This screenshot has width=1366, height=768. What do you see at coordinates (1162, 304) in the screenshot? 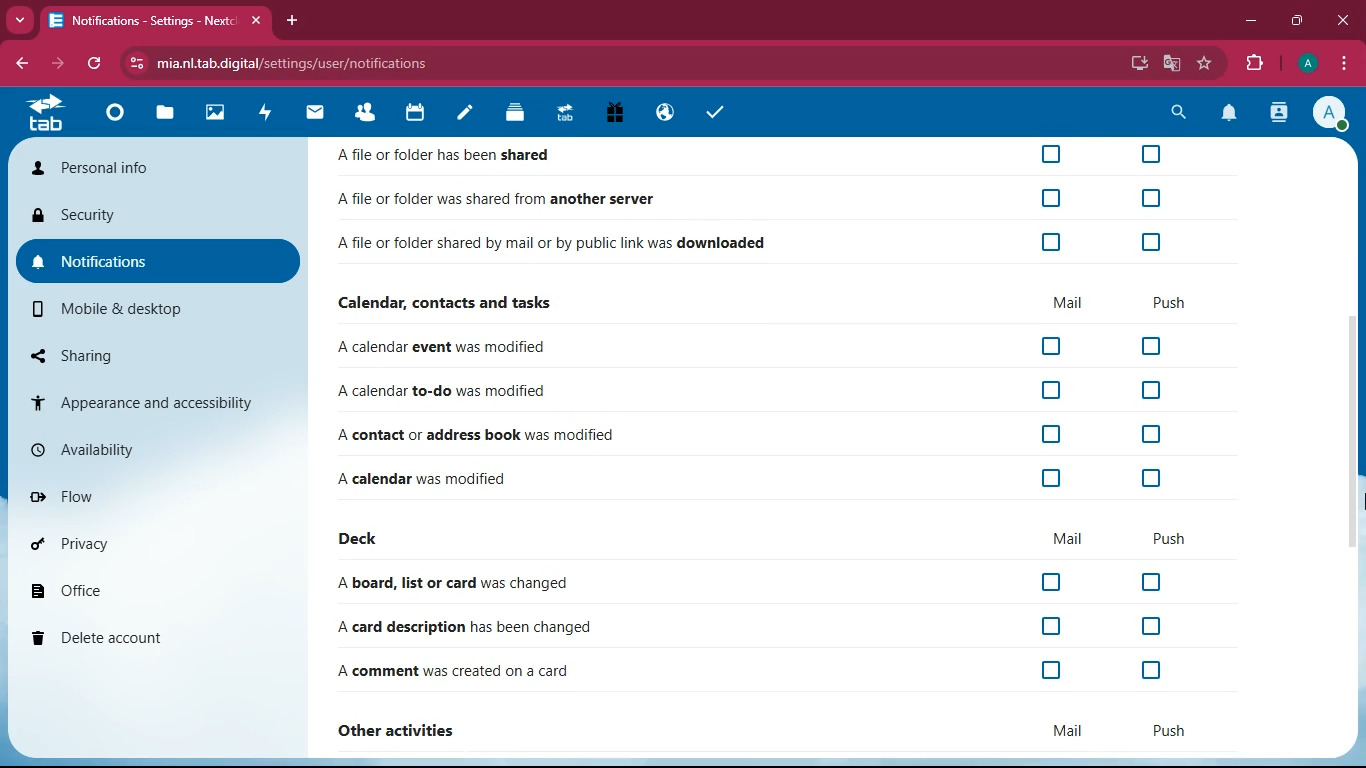
I see `push` at bounding box center [1162, 304].